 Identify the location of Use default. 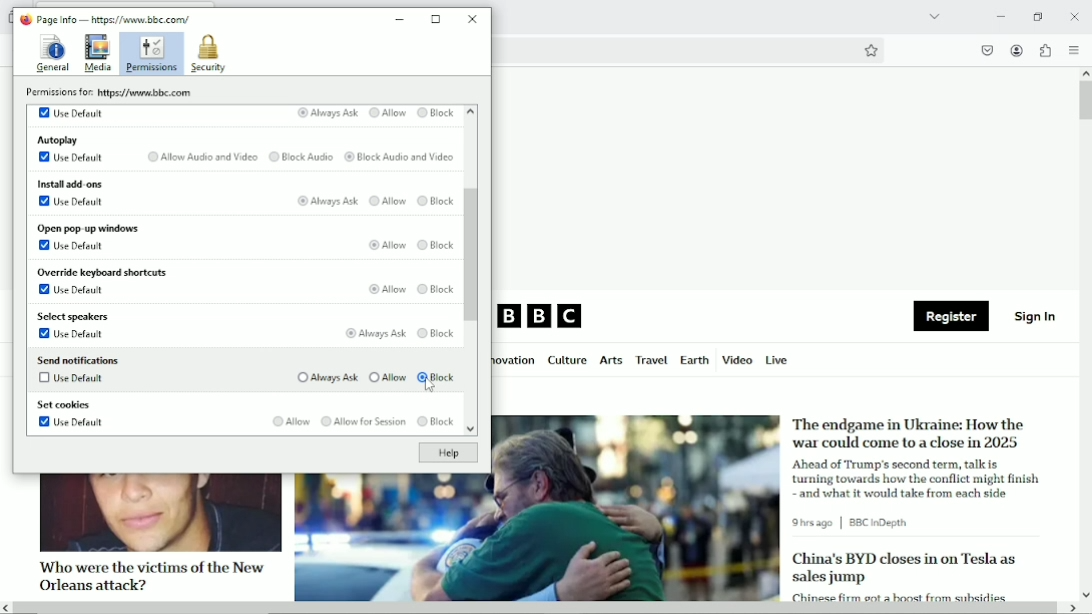
(71, 112).